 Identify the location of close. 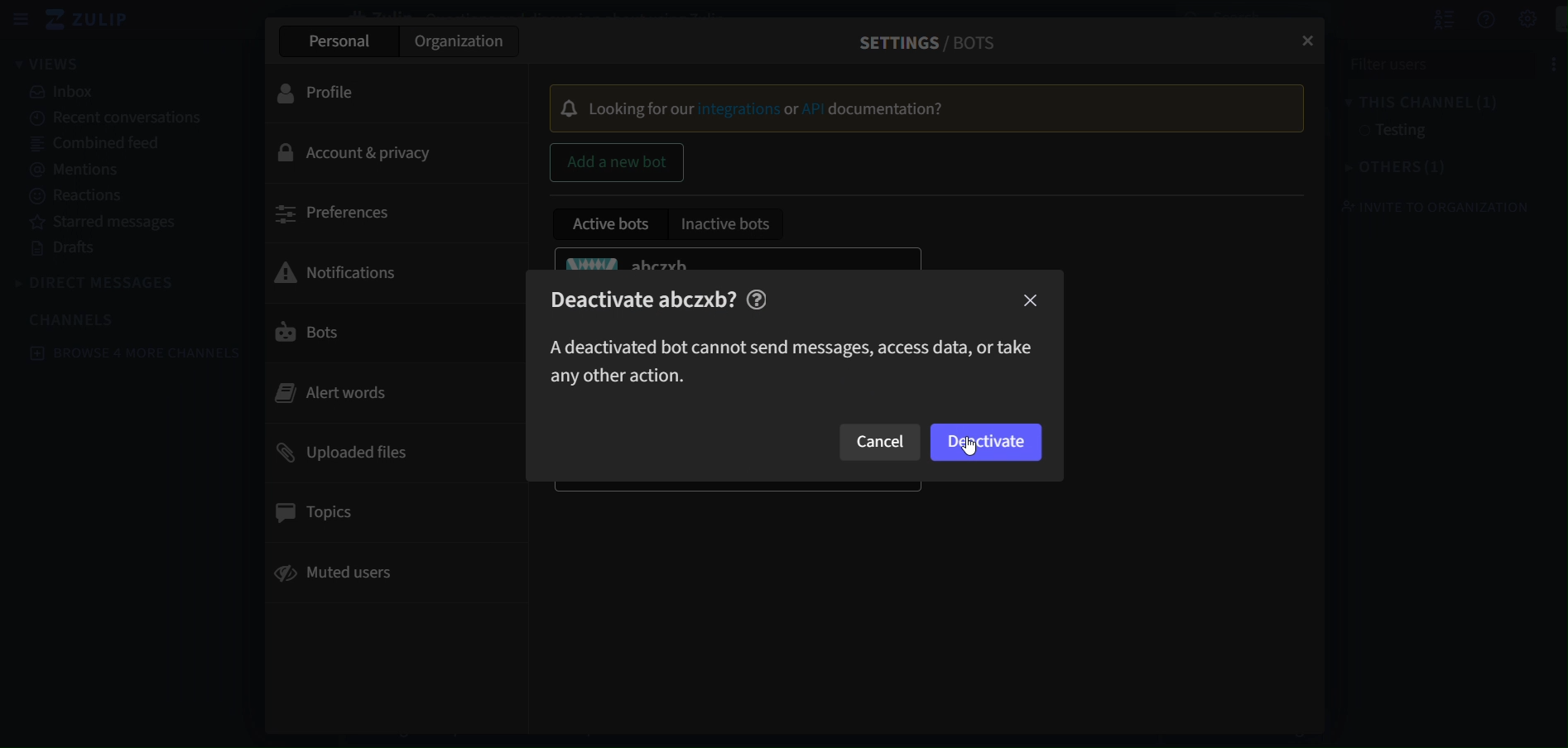
(1031, 301).